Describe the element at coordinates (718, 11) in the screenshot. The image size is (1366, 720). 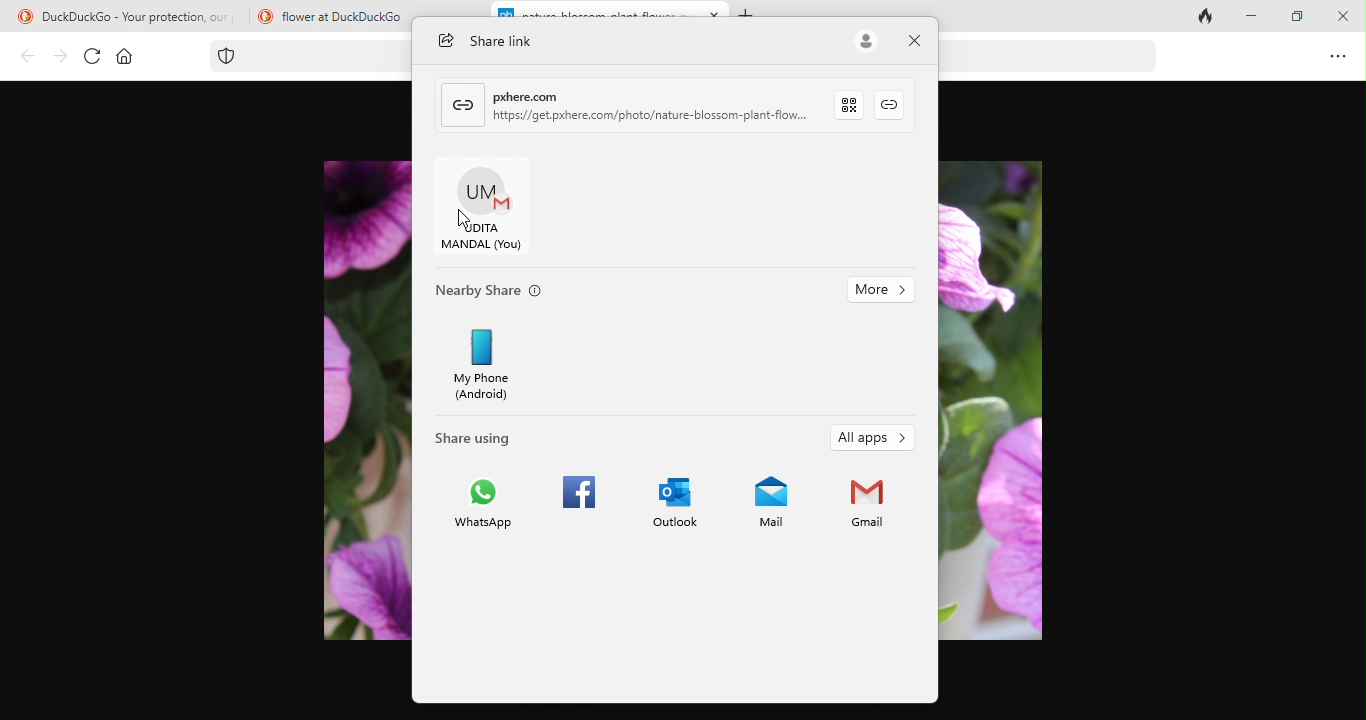
I see `close` at that location.